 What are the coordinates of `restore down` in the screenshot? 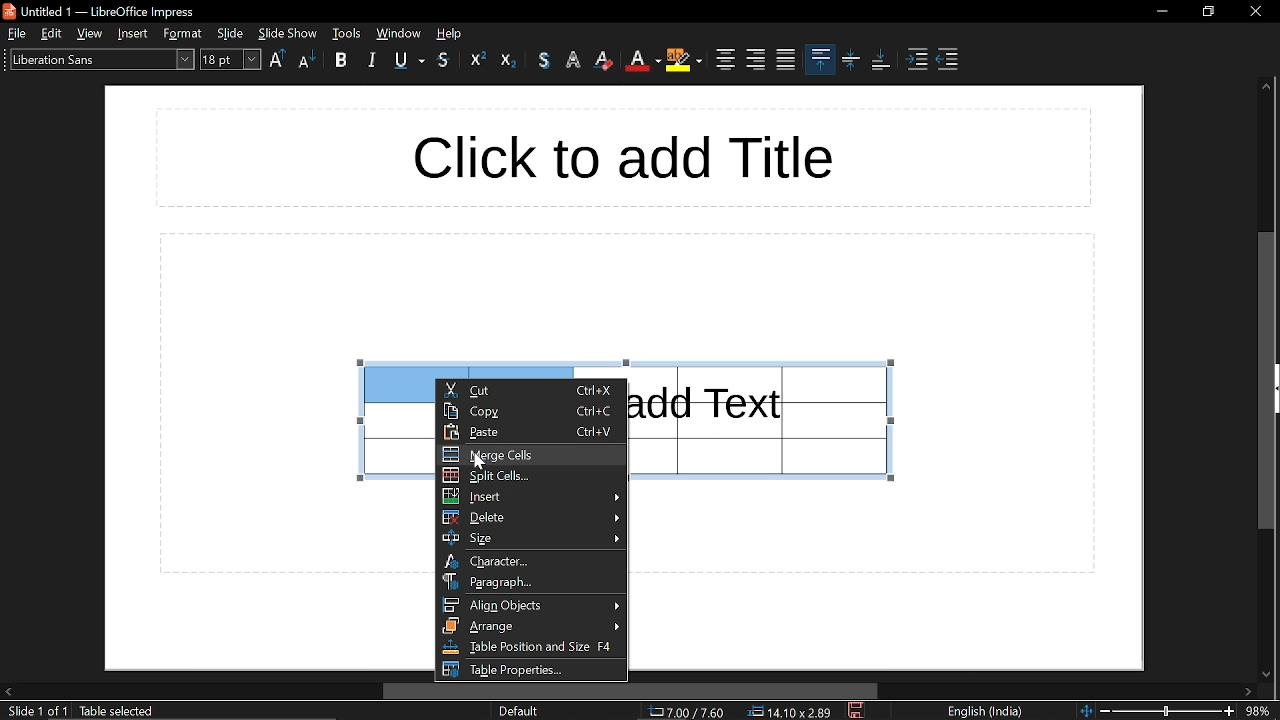 It's located at (1209, 11).